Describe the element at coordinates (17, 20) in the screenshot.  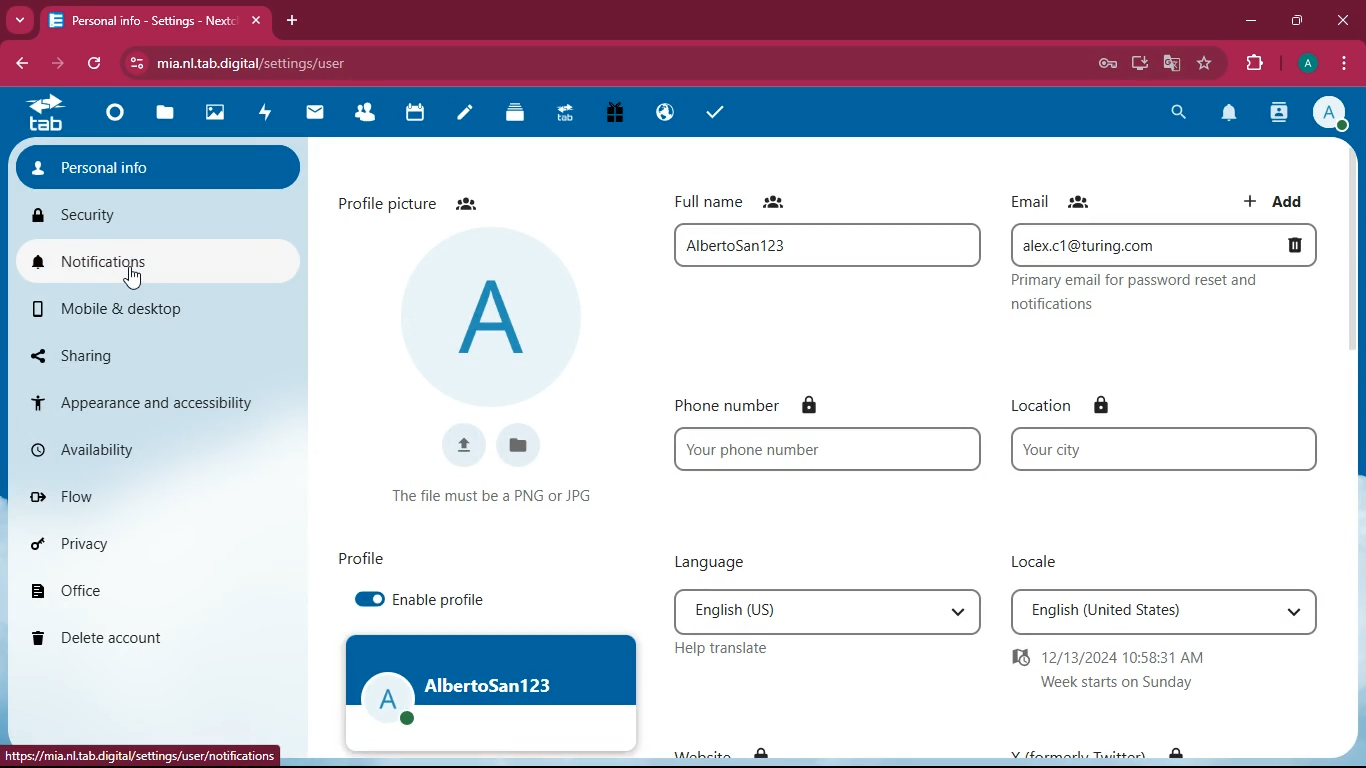
I see `more` at that location.